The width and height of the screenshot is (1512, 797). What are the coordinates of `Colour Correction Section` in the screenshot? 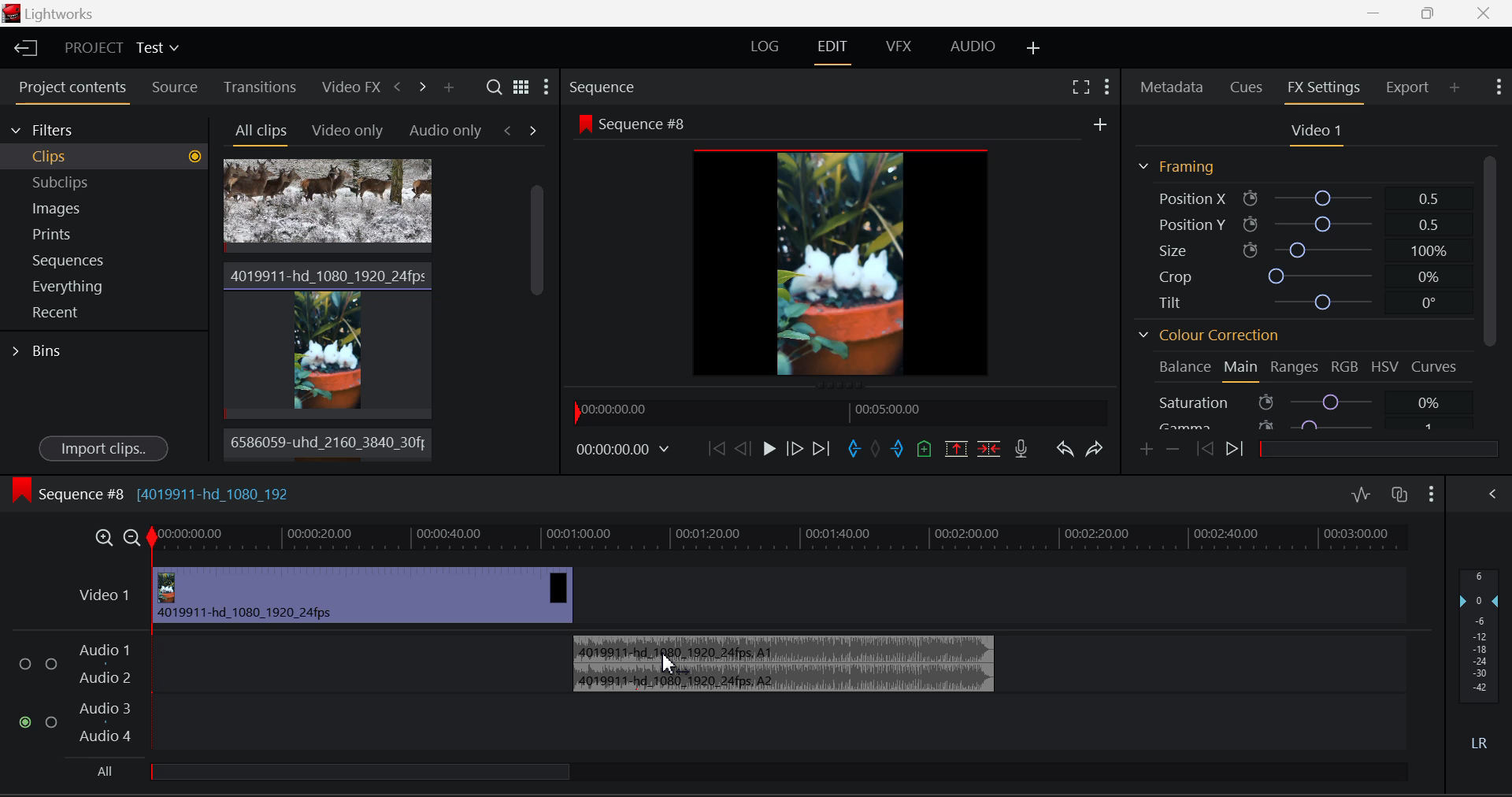 It's located at (1206, 335).